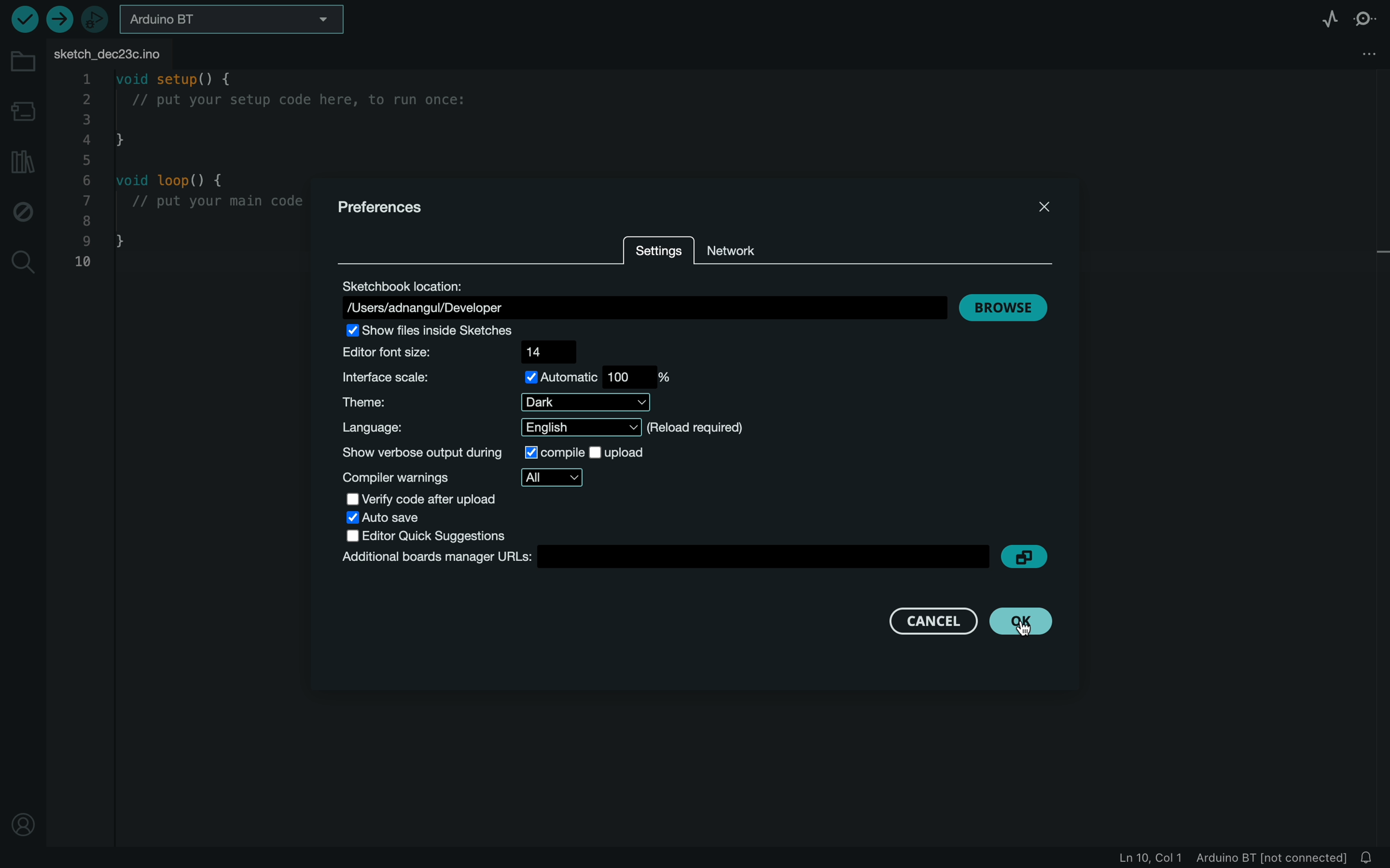 This screenshot has width=1390, height=868. I want to click on file information, so click(1214, 858).